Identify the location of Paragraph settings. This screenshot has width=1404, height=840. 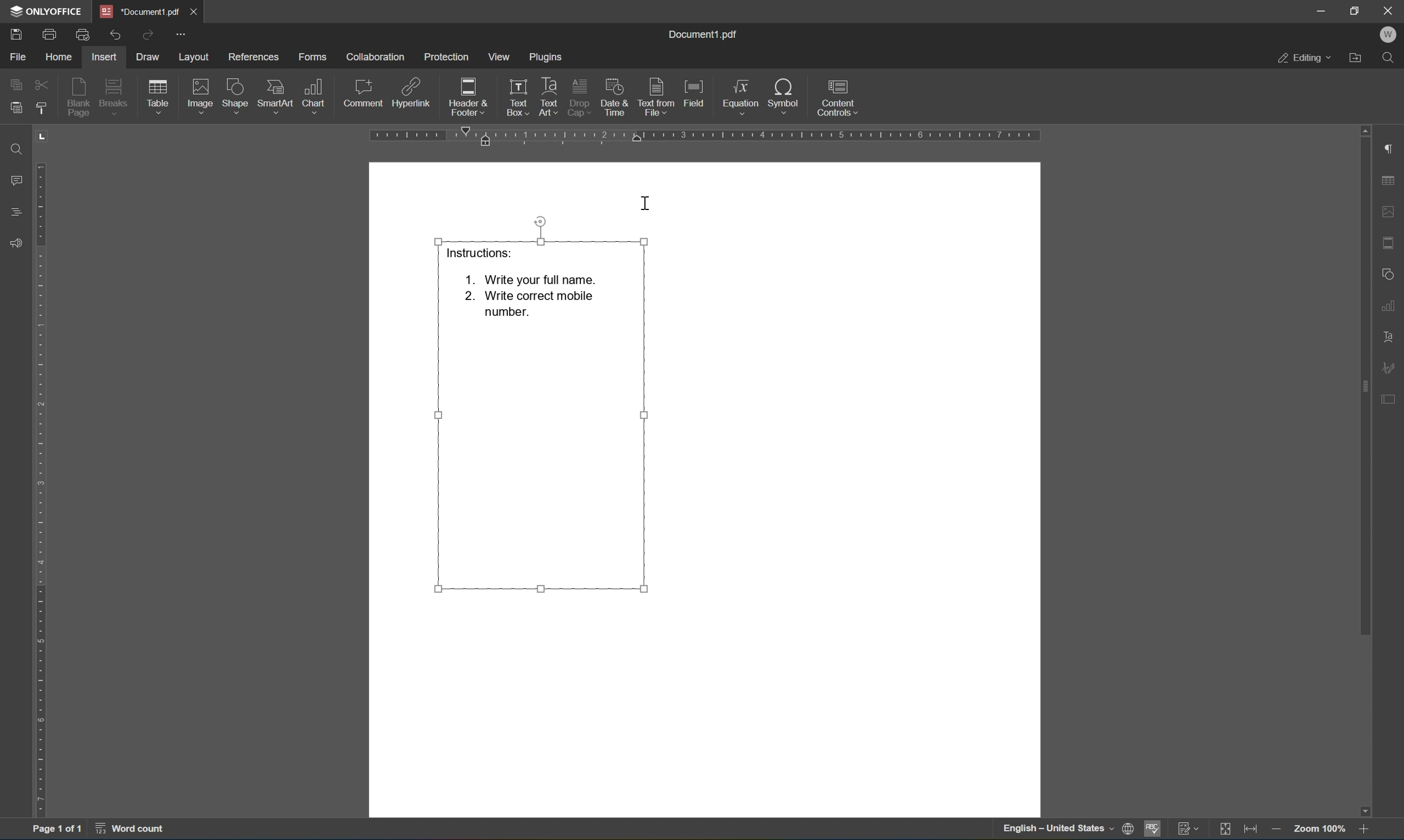
(1392, 147).